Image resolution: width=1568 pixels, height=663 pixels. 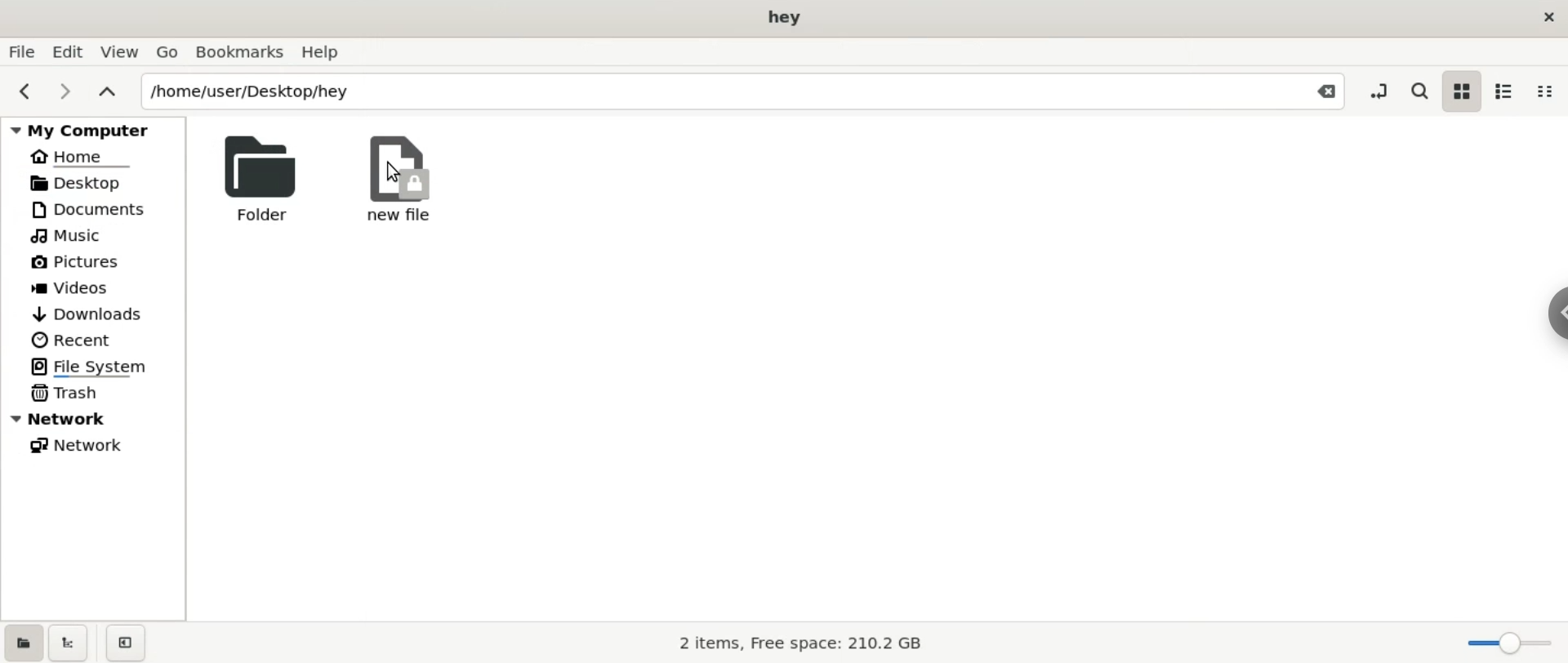 What do you see at coordinates (399, 179) in the screenshot?
I see `new file` at bounding box center [399, 179].